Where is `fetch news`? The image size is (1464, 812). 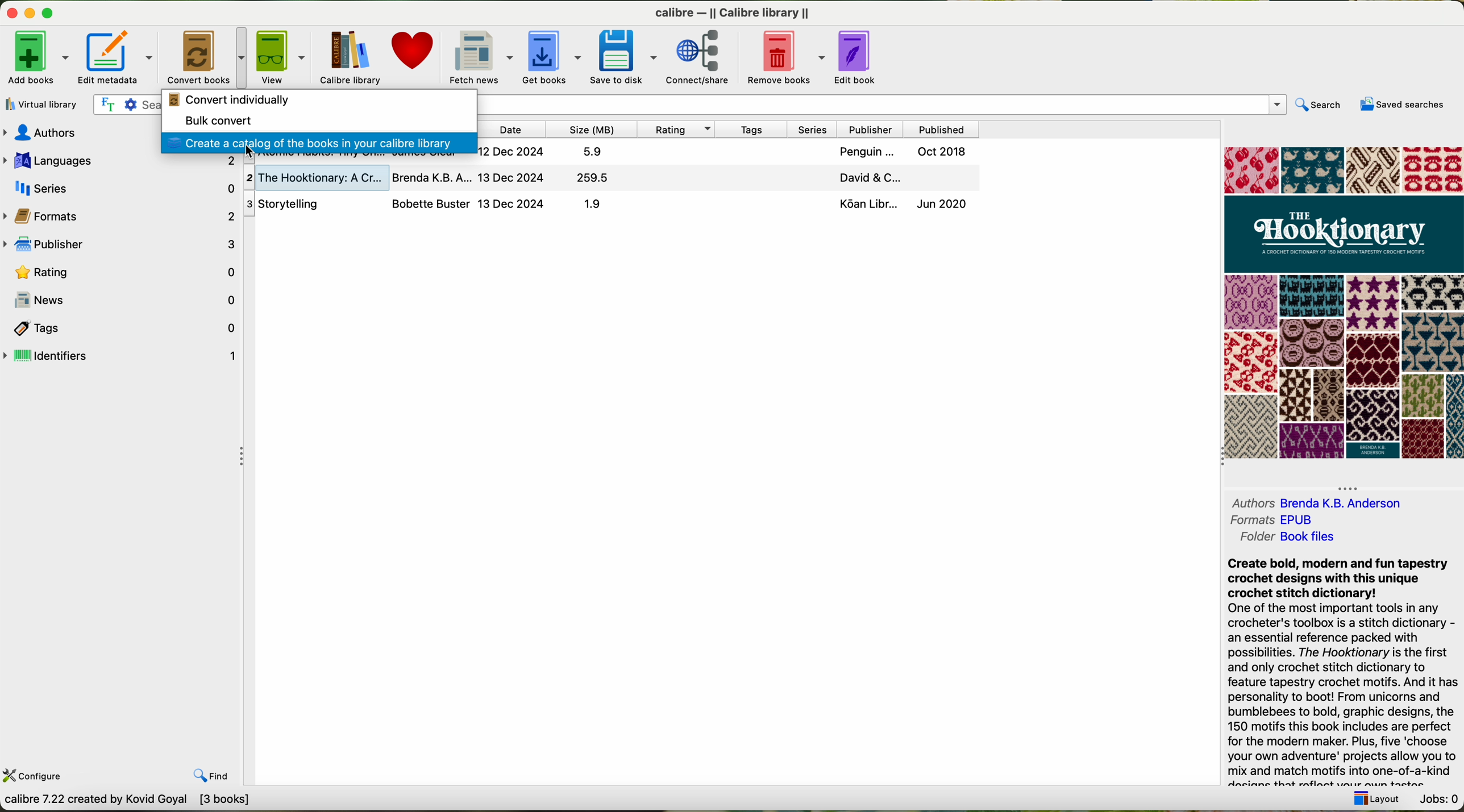 fetch news is located at coordinates (479, 57).